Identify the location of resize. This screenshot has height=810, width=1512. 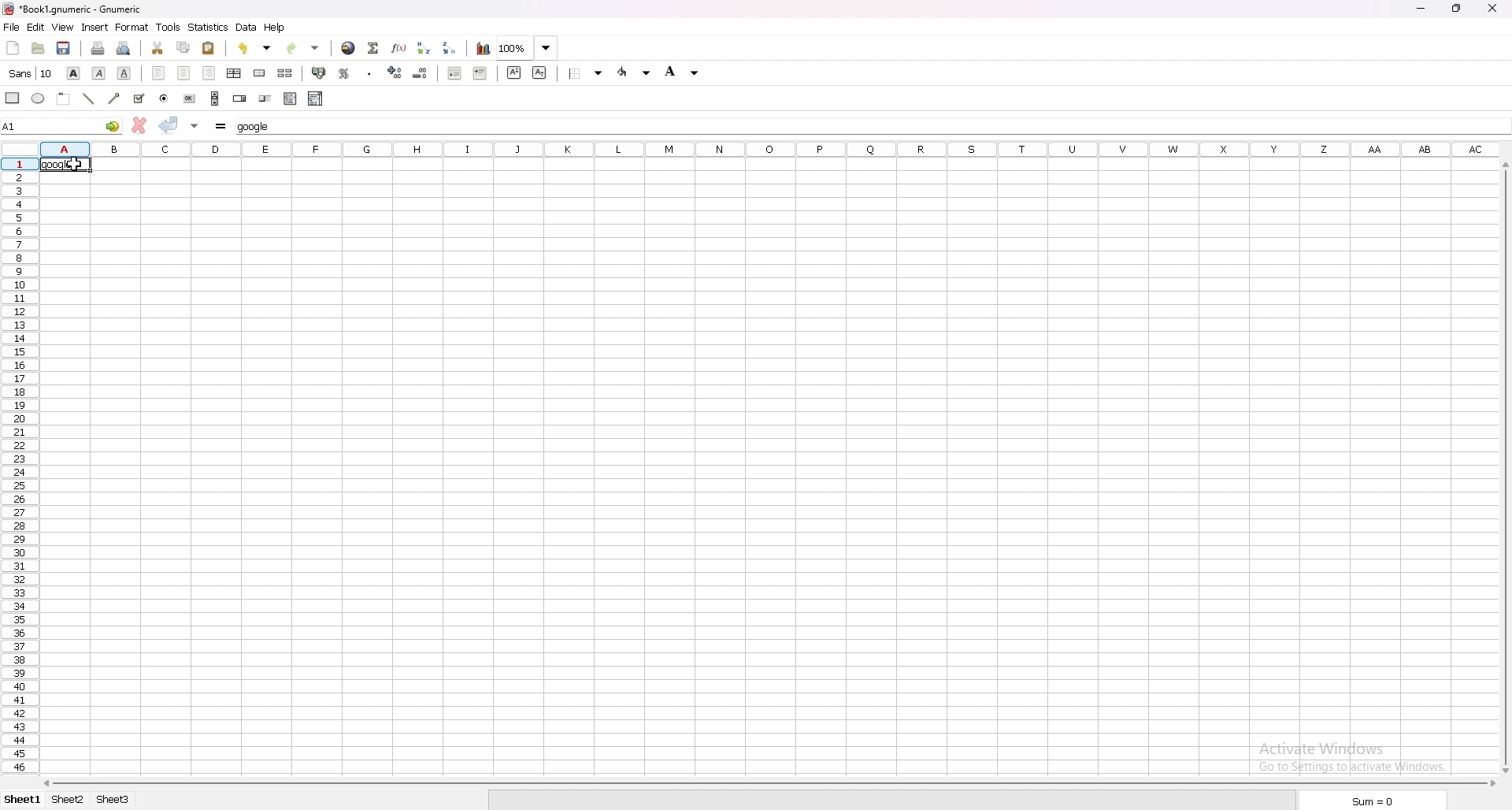
(1458, 8).